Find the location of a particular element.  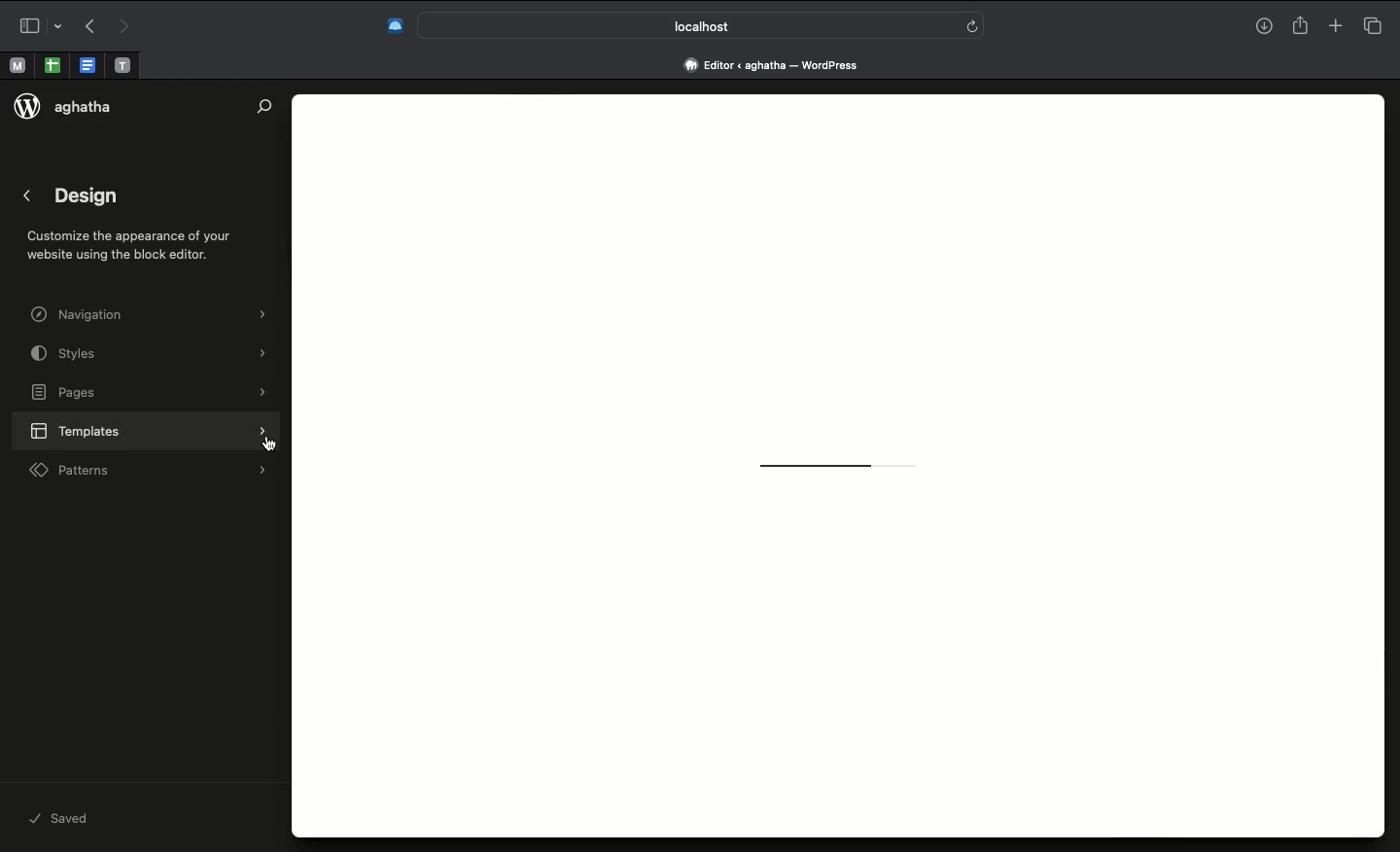

Tabs is located at coordinates (1372, 25).